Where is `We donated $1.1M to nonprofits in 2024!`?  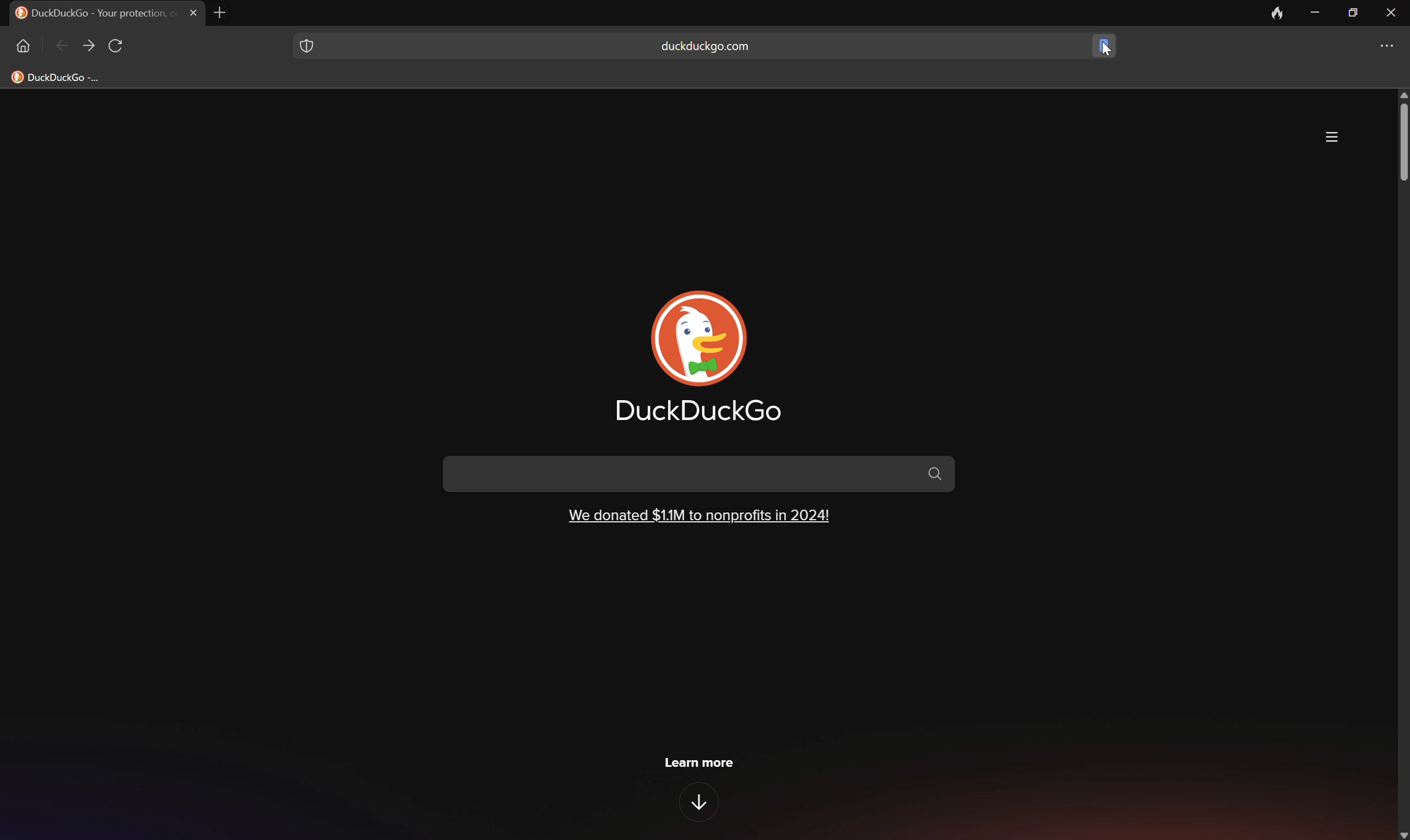
We donated $1.1M to nonprofits in 2024! is located at coordinates (699, 514).